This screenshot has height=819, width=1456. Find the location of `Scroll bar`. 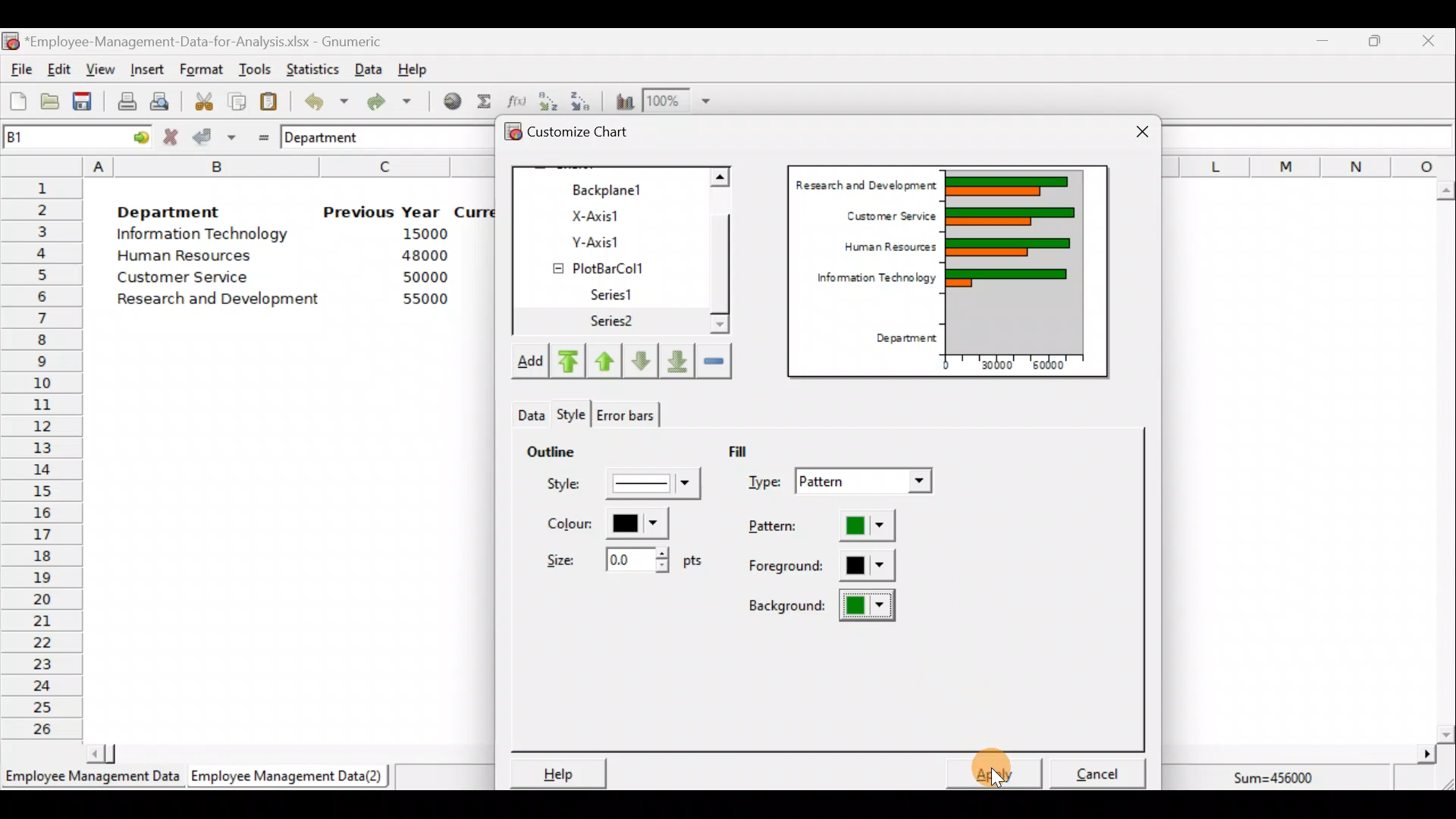

Scroll bar is located at coordinates (1445, 462).